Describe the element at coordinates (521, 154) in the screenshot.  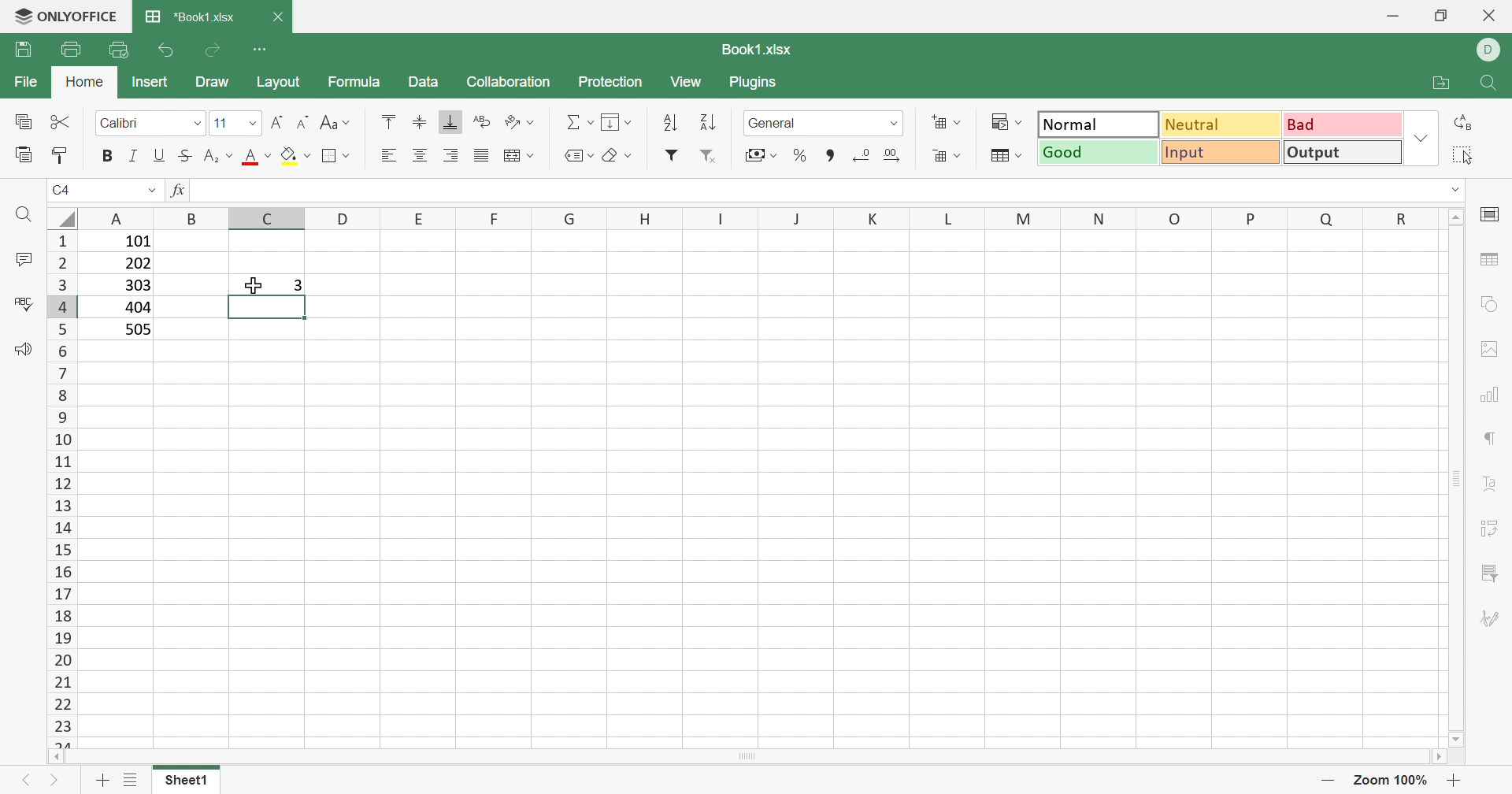
I see `Merge and center` at that location.